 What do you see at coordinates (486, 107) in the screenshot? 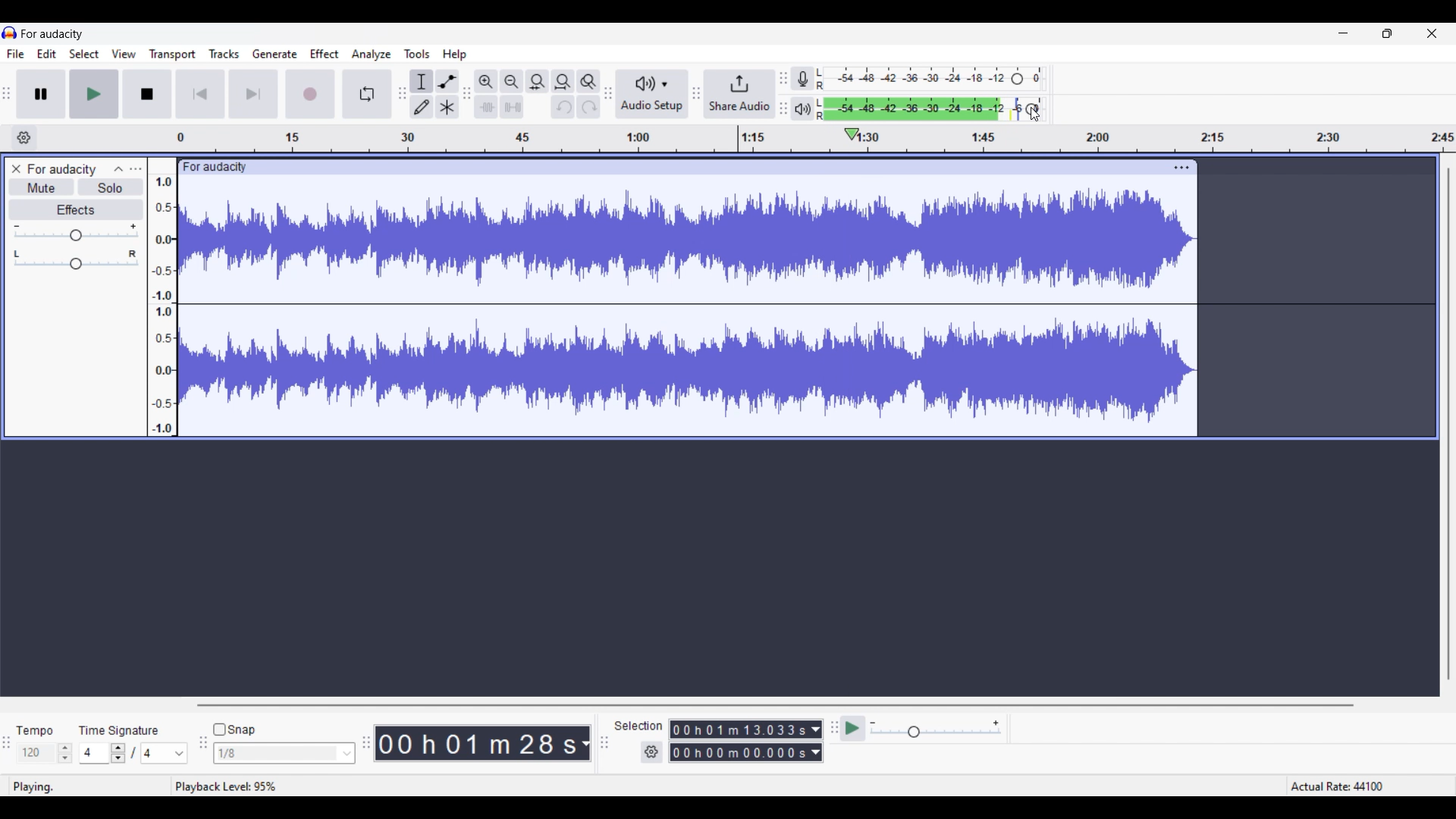
I see `Trim audio outside selection` at bounding box center [486, 107].